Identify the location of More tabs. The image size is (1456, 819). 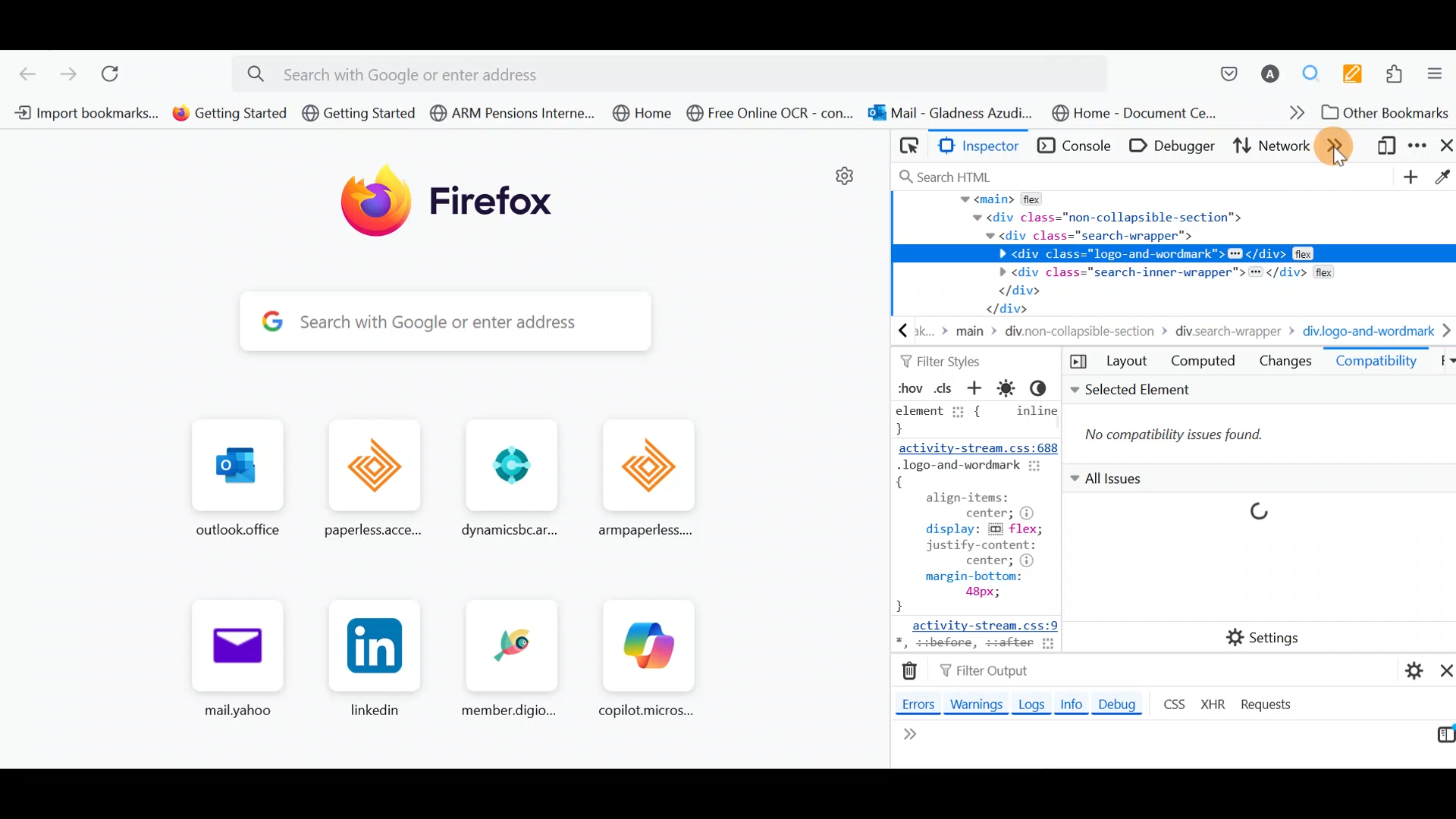
(1339, 146).